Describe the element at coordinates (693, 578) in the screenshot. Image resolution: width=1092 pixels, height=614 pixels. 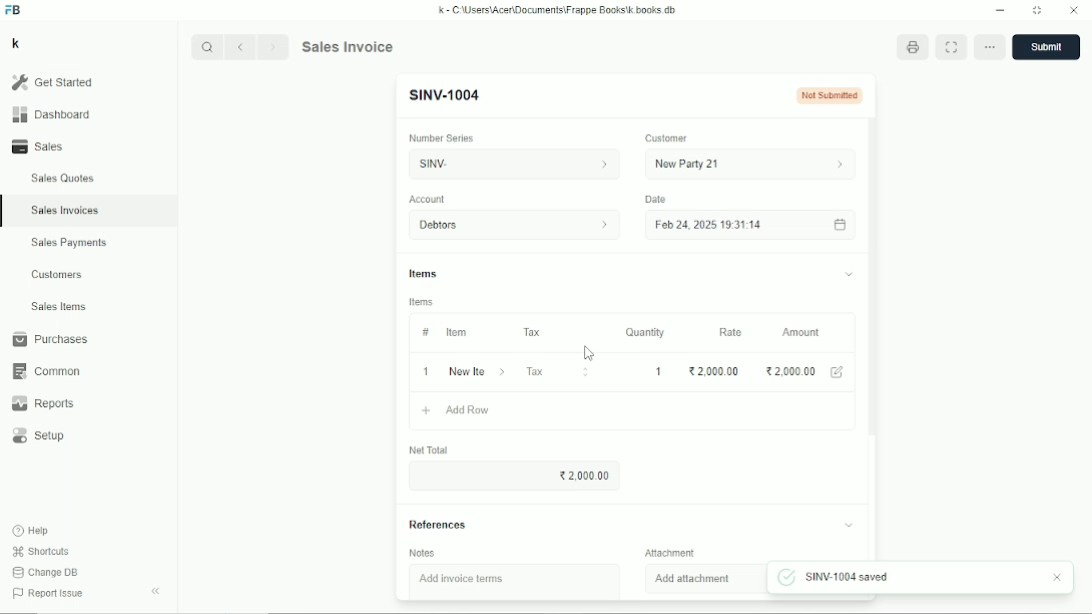
I see `Add attachment` at that location.